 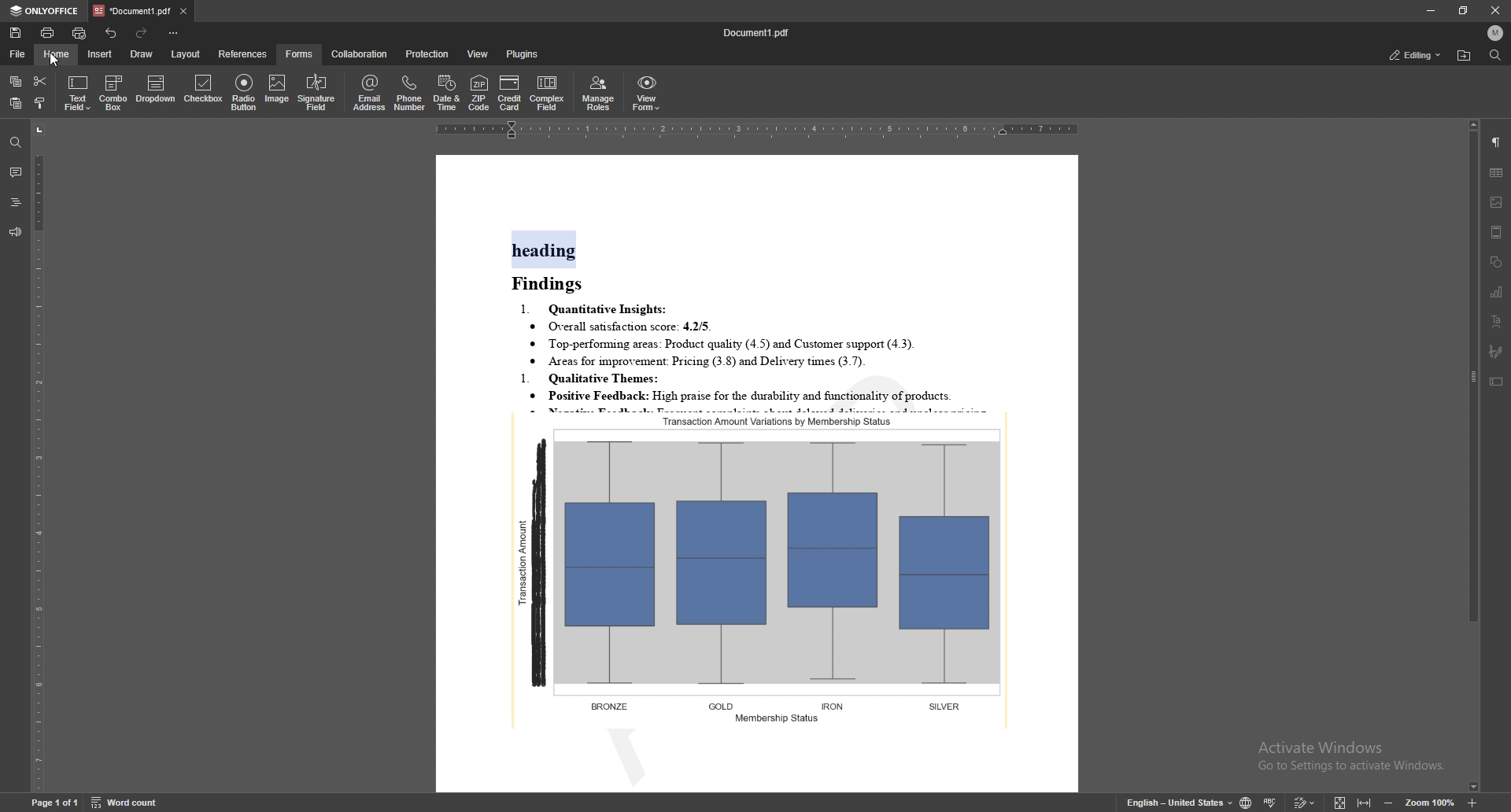 What do you see at coordinates (1416, 55) in the screenshot?
I see `status` at bounding box center [1416, 55].